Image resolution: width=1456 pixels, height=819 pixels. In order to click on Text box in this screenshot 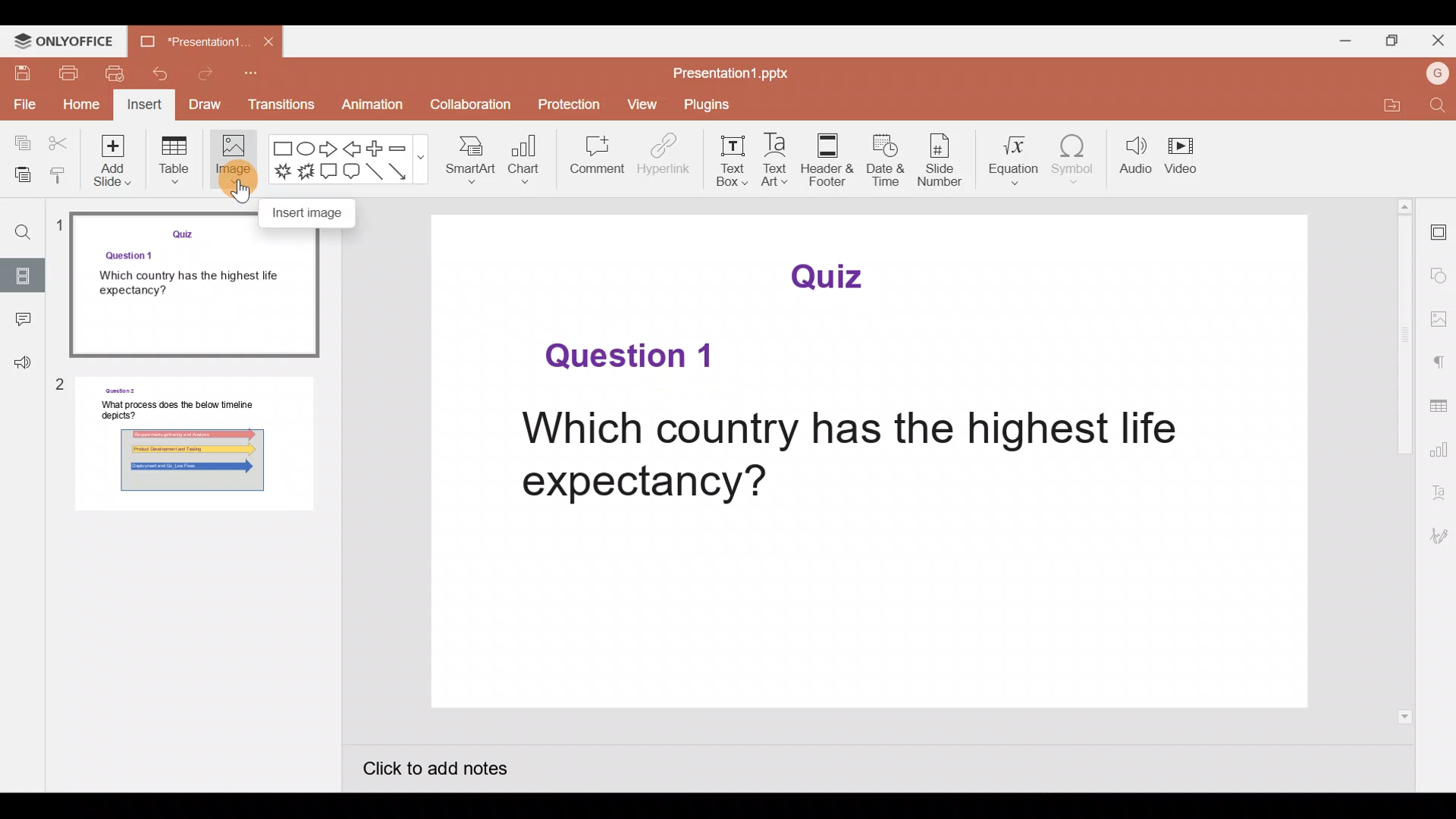, I will do `click(730, 158)`.